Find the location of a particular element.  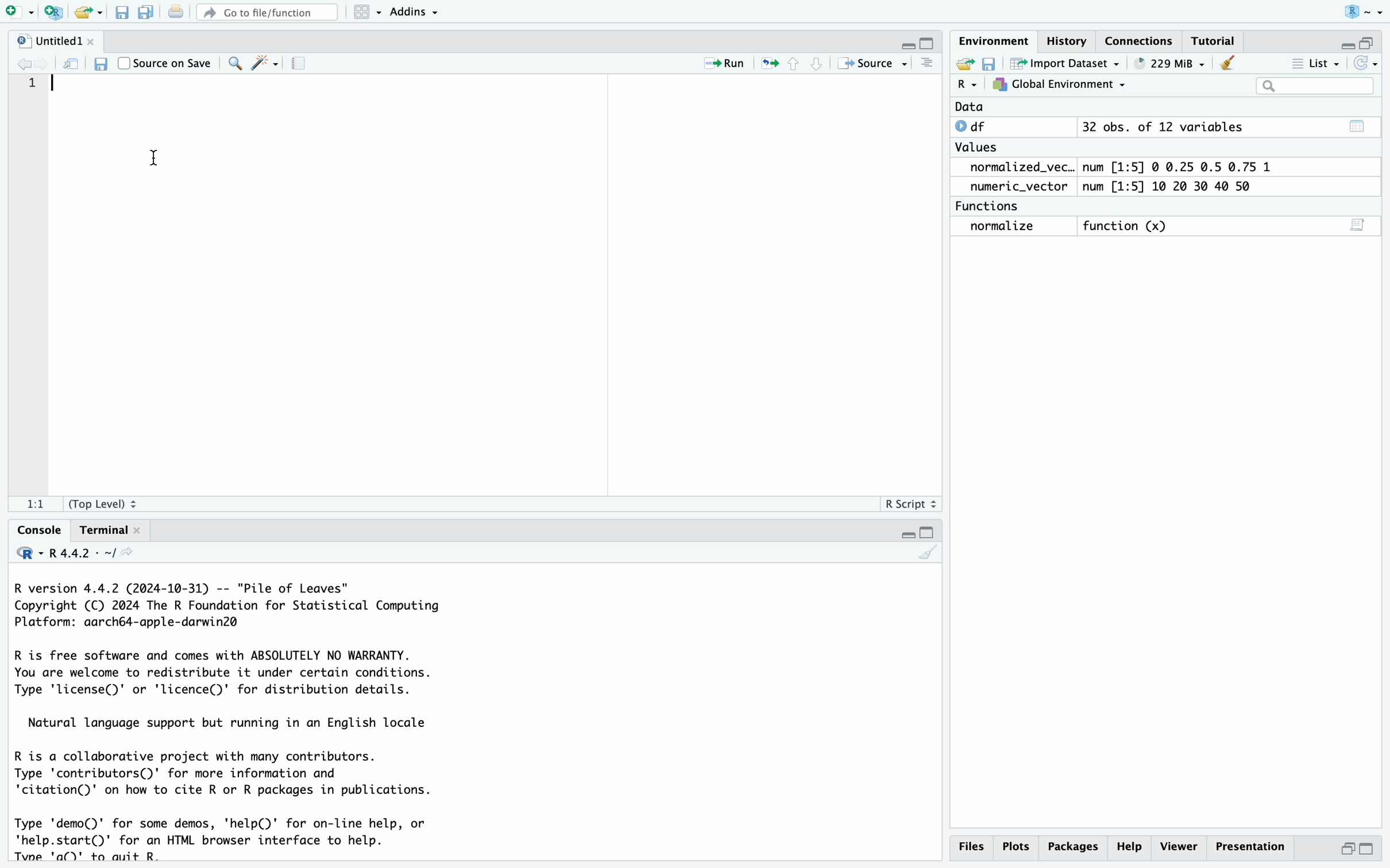

R dropdown is located at coordinates (967, 84).